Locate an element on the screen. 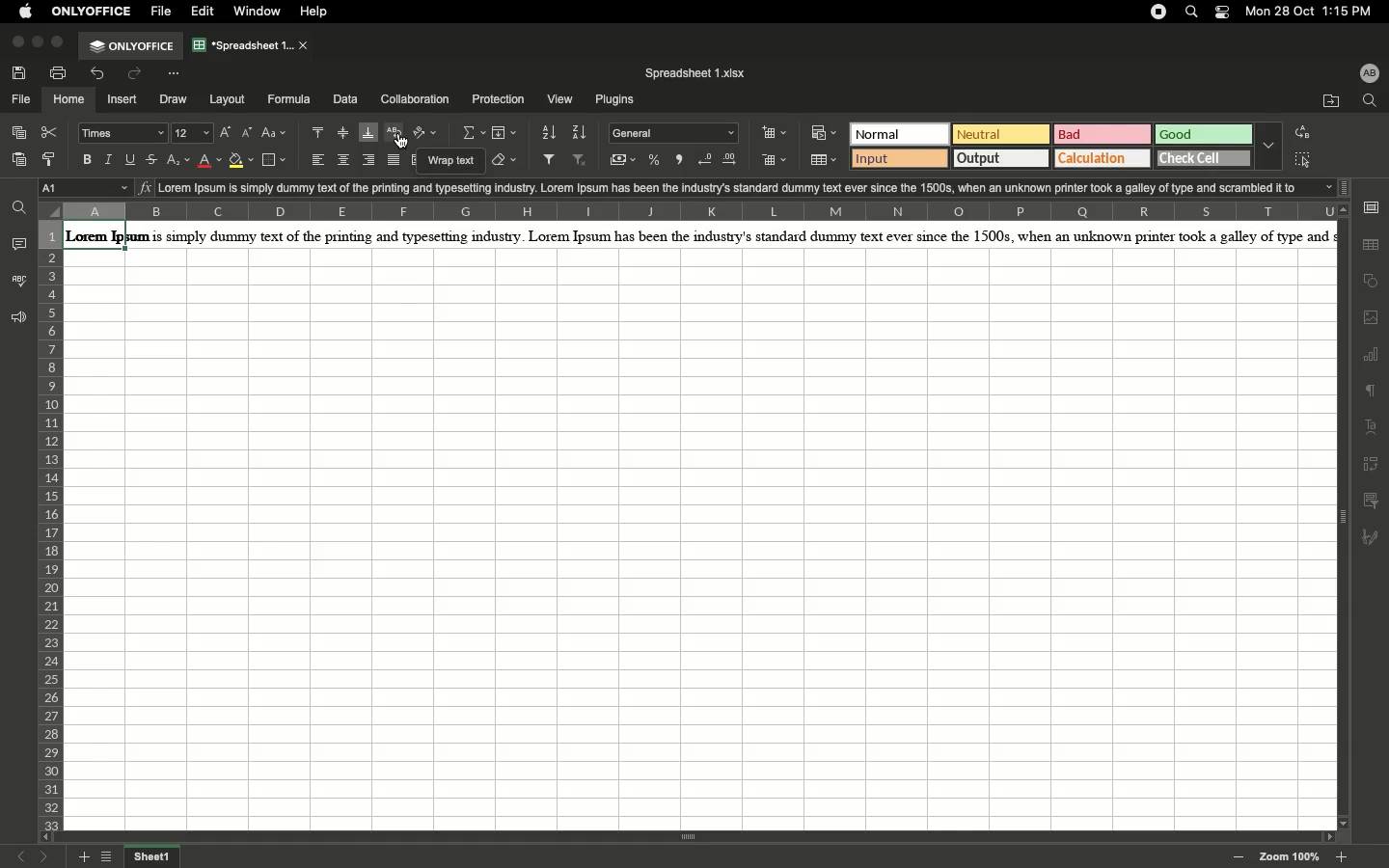  Increase decimal  is located at coordinates (735, 160).